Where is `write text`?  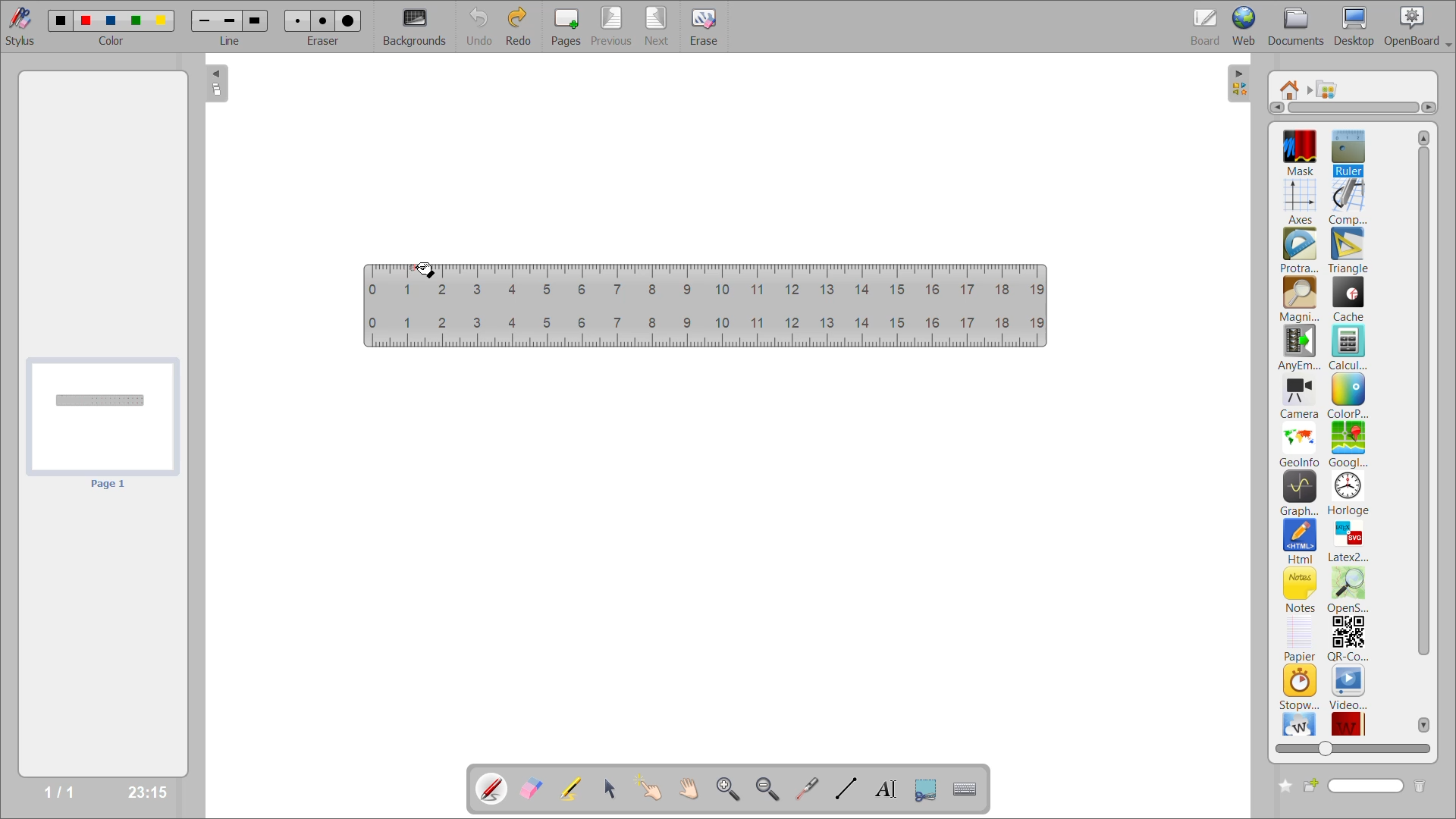
write text is located at coordinates (885, 789).